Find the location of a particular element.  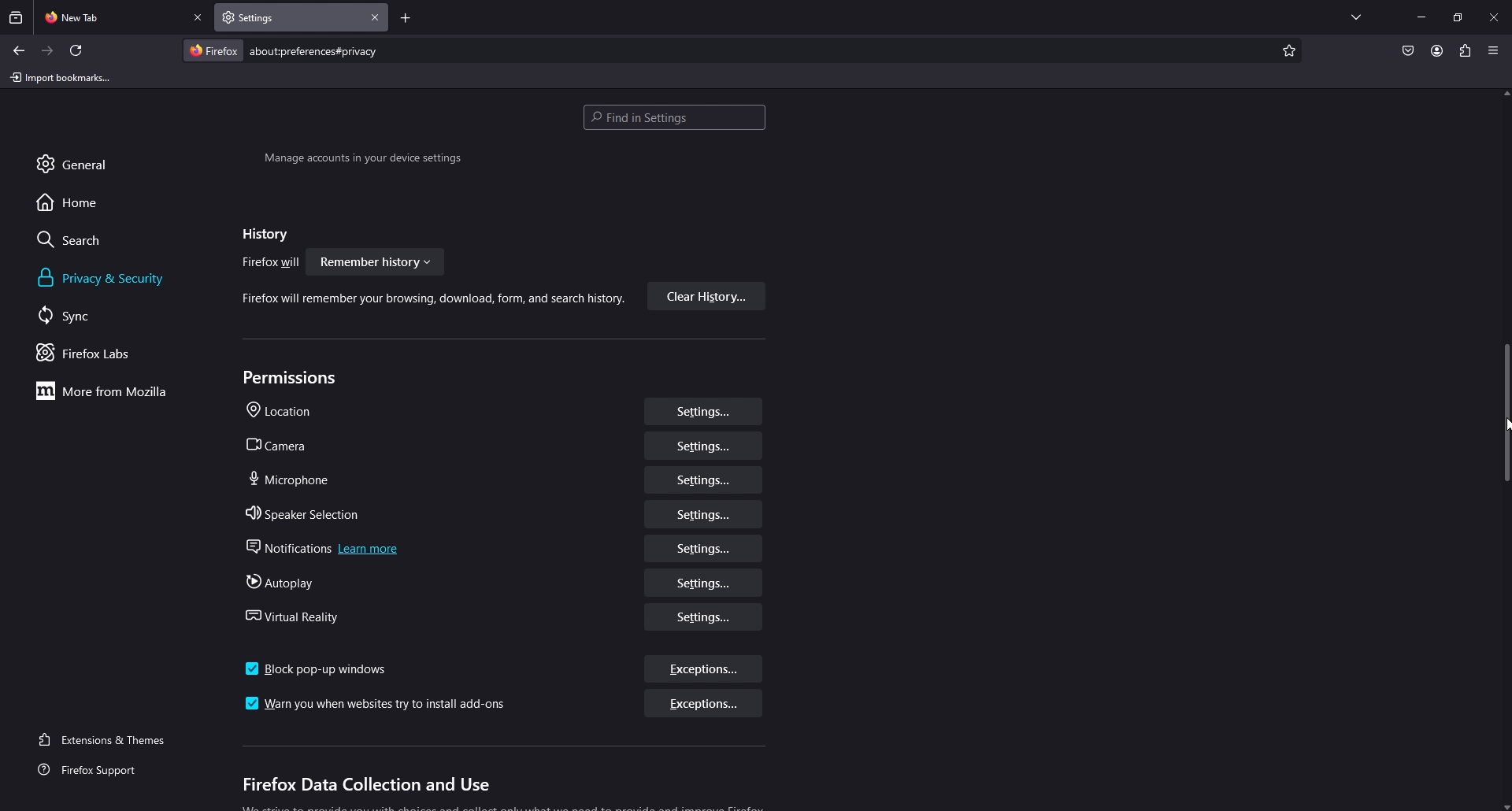

close tab is located at coordinates (199, 18).